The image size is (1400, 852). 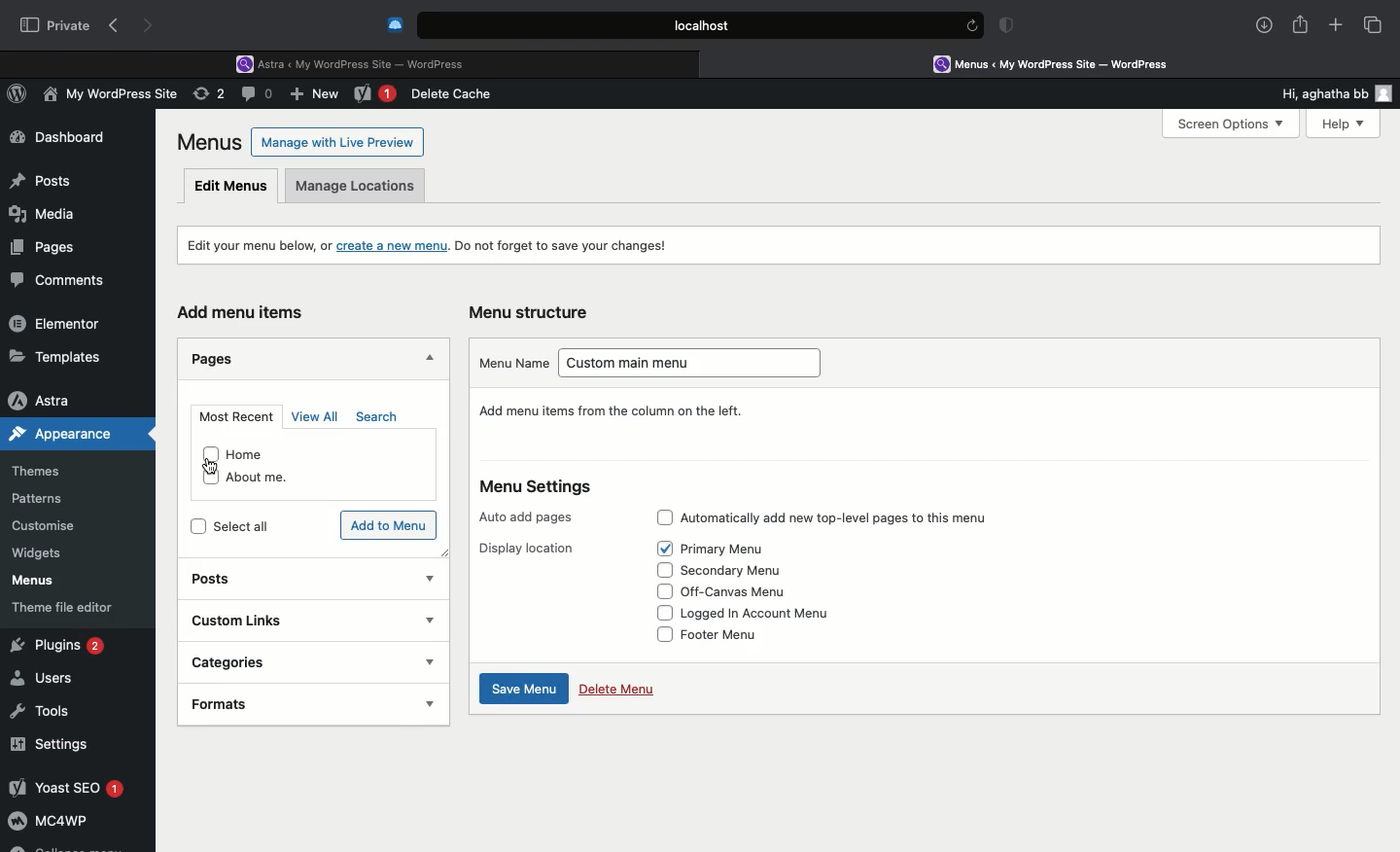 I want to click on Auto add pages, so click(x=530, y=513).